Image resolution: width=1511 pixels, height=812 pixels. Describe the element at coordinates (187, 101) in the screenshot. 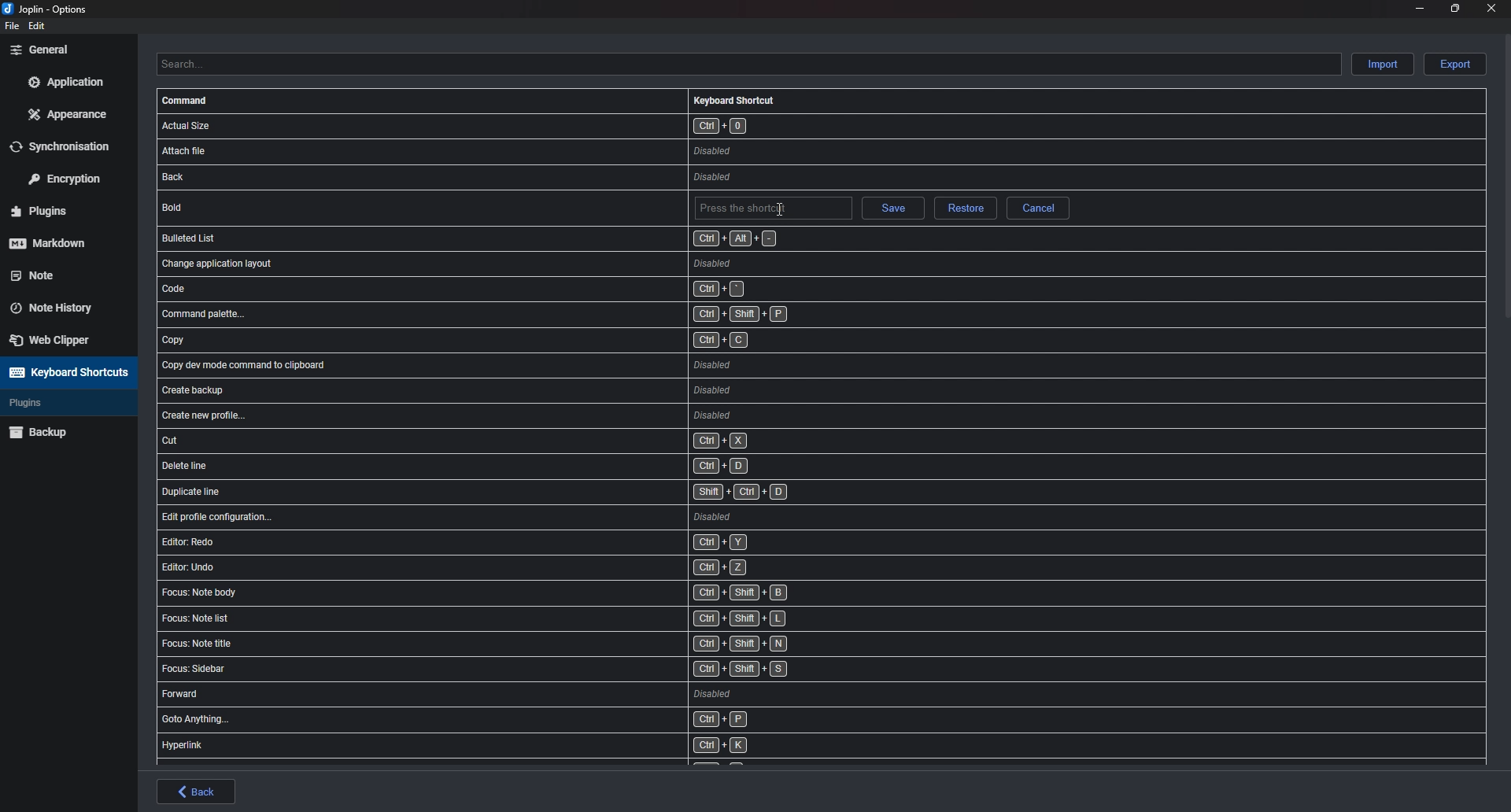

I see `Command` at that location.